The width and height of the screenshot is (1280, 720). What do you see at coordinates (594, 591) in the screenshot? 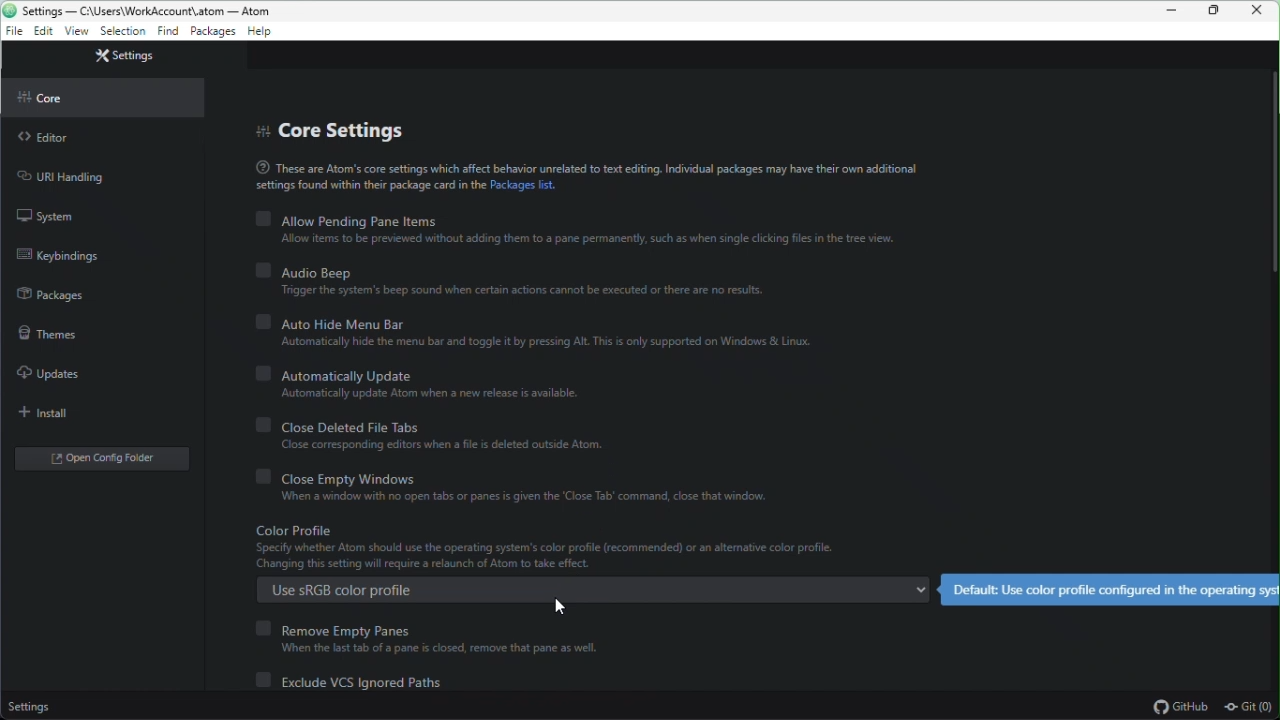
I see `use srgb color profile` at bounding box center [594, 591].